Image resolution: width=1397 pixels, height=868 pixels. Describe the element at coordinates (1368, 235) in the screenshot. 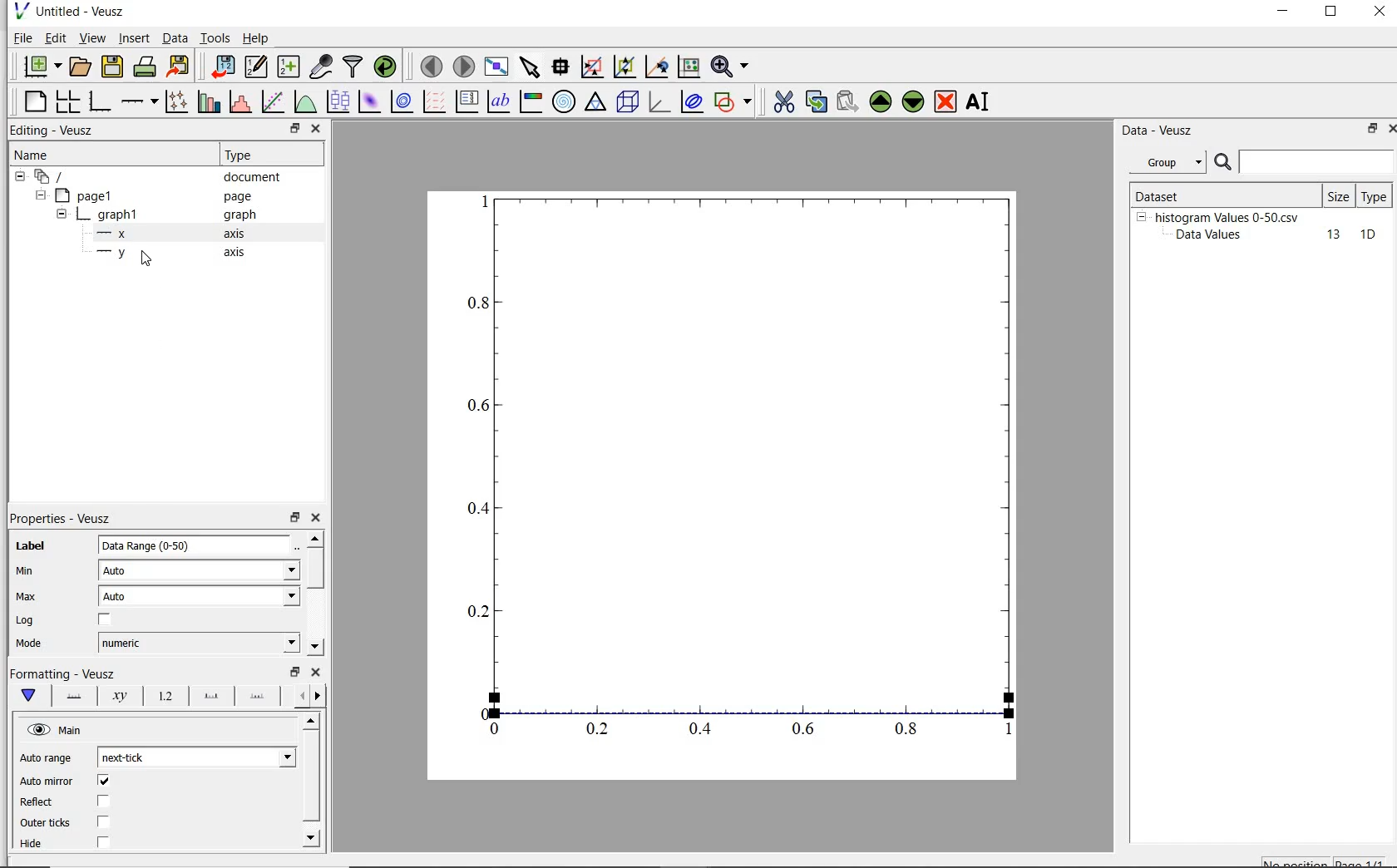

I see `10` at that location.